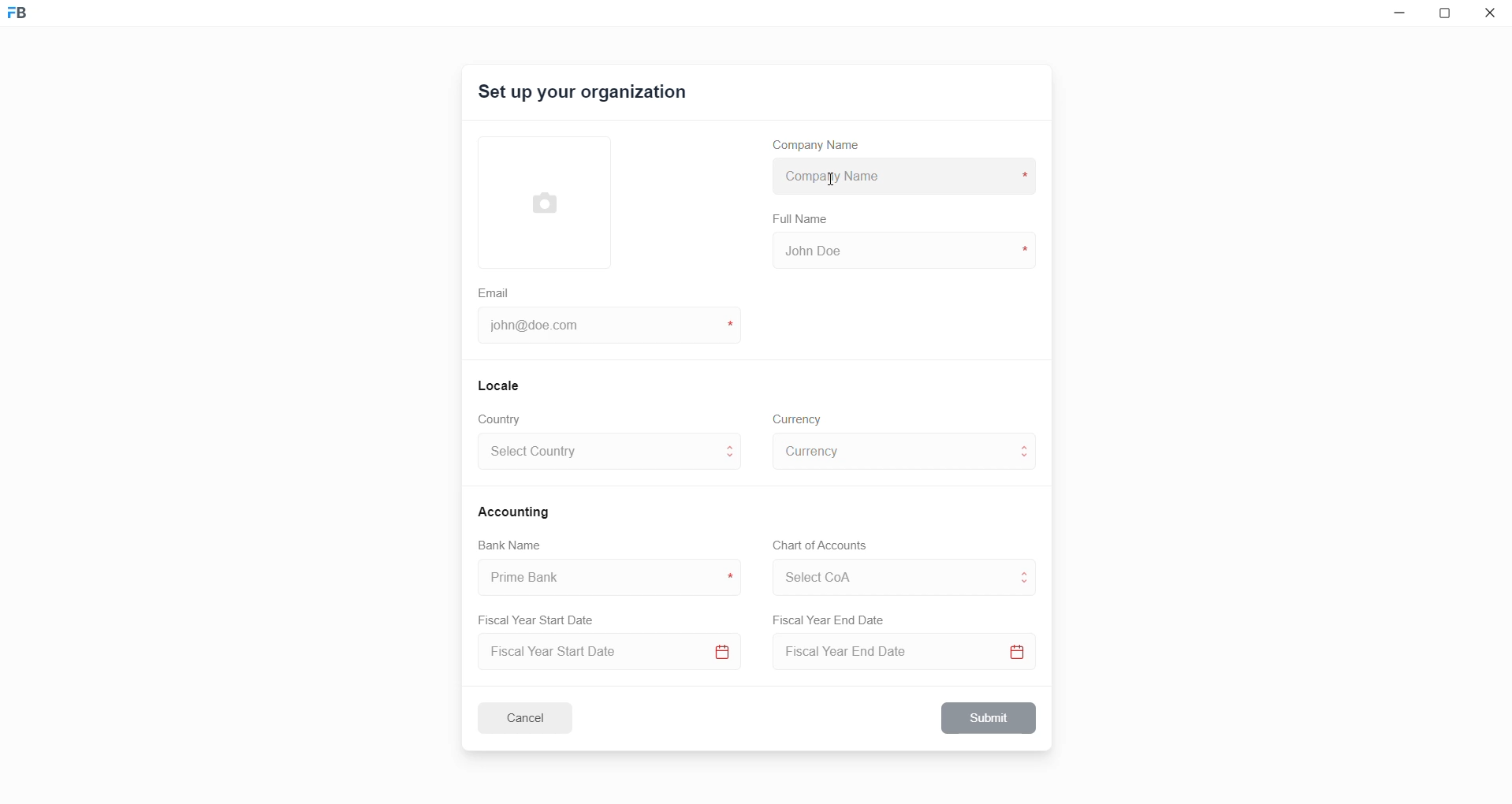  Describe the element at coordinates (891, 450) in the screenshot. I see `select currency` at that location.